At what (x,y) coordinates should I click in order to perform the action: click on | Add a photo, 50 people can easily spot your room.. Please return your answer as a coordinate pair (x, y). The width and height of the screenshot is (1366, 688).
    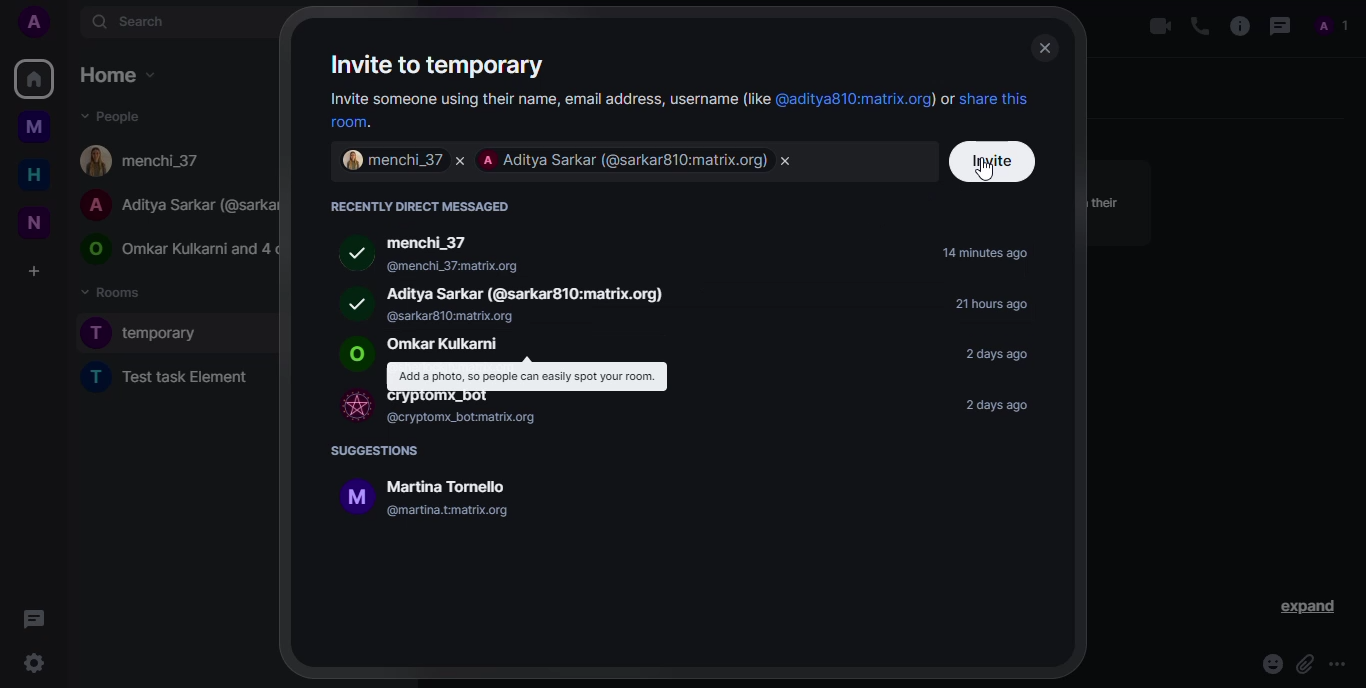
    Looking at the image, I should click on (526, 376).